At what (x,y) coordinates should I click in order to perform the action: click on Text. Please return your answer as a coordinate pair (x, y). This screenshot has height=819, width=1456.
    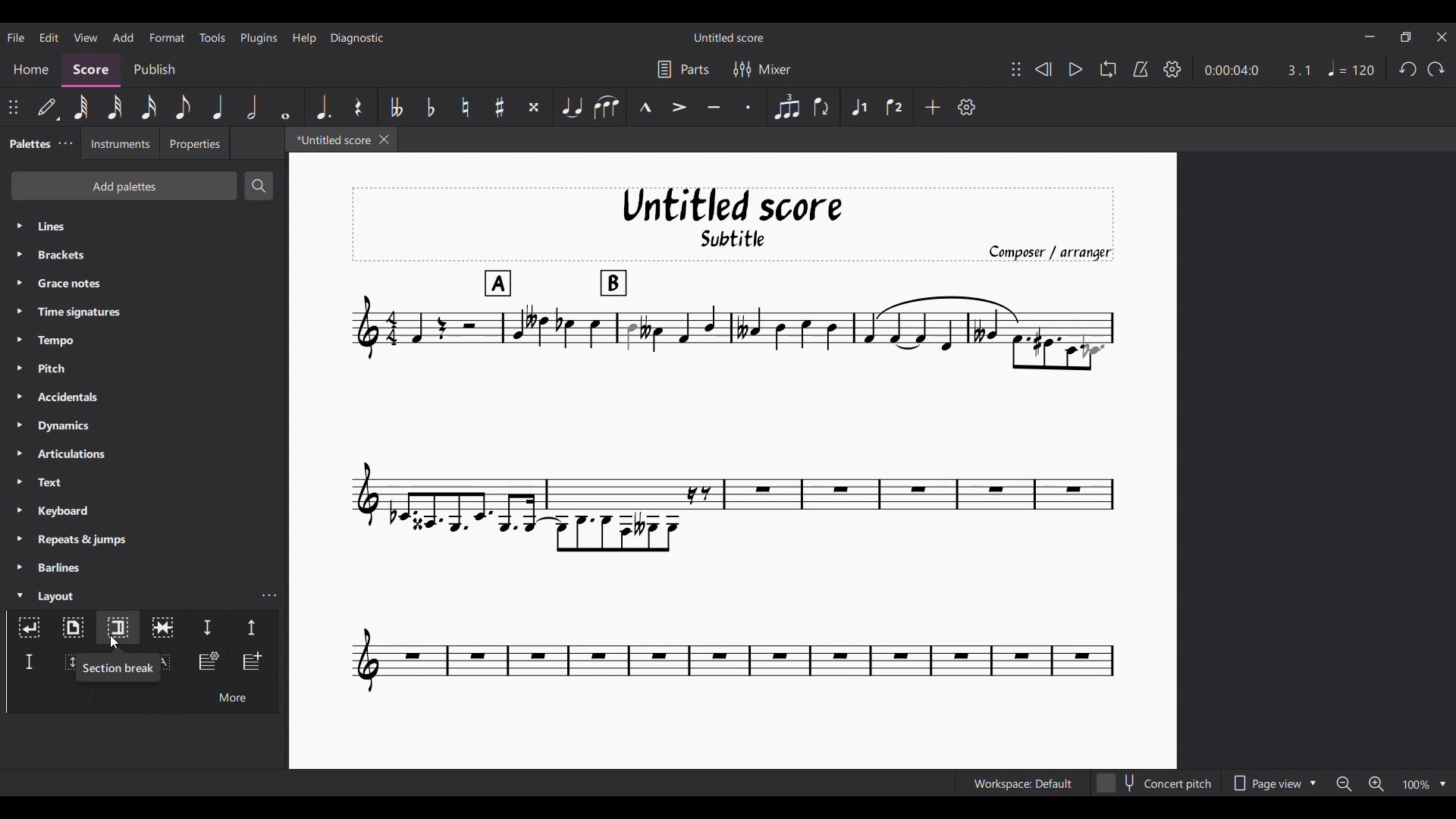
    Looking at the image, I should click on (144, 482).